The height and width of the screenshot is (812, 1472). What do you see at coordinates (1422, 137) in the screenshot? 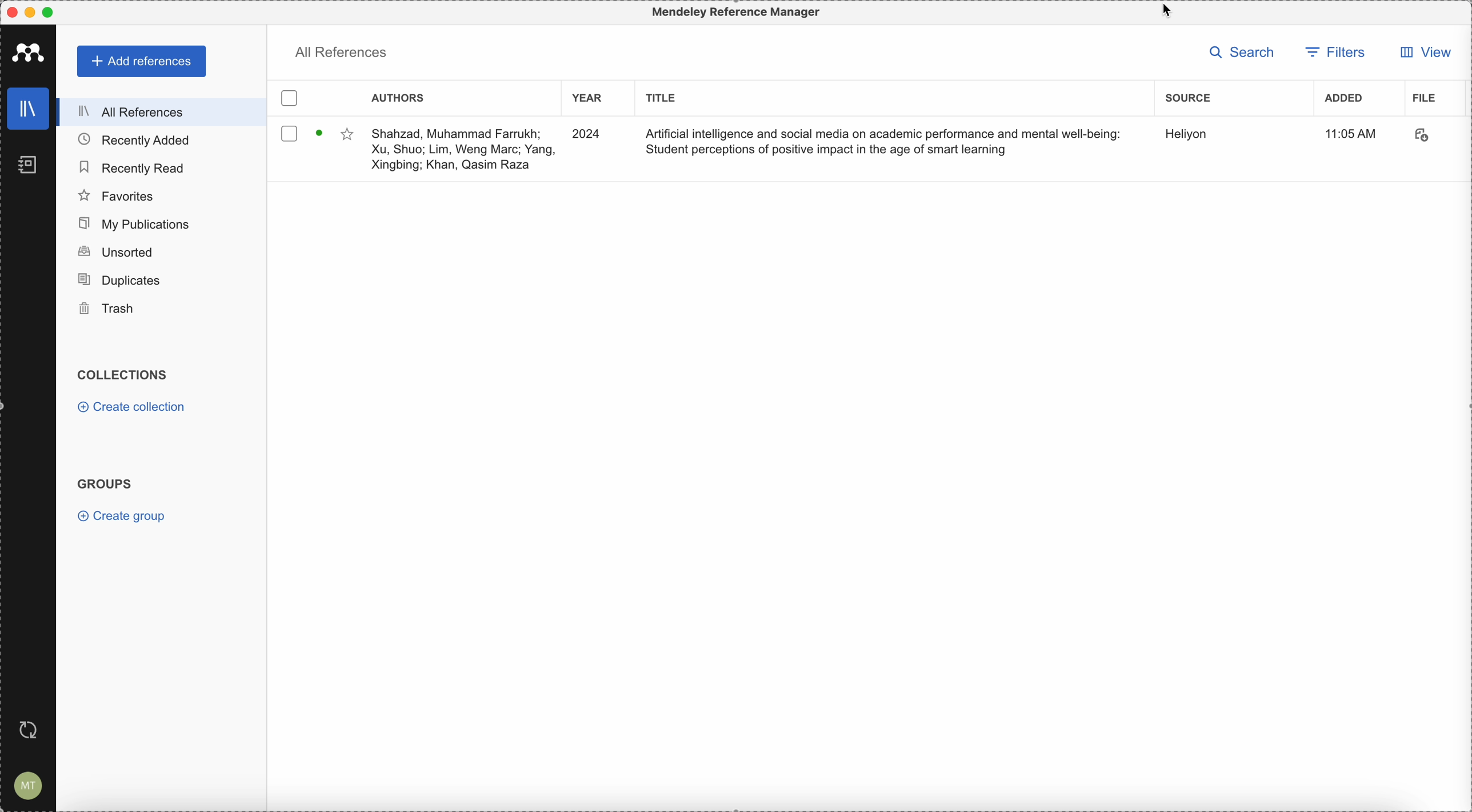
I see `download document` at bounding box center [1422, 137].